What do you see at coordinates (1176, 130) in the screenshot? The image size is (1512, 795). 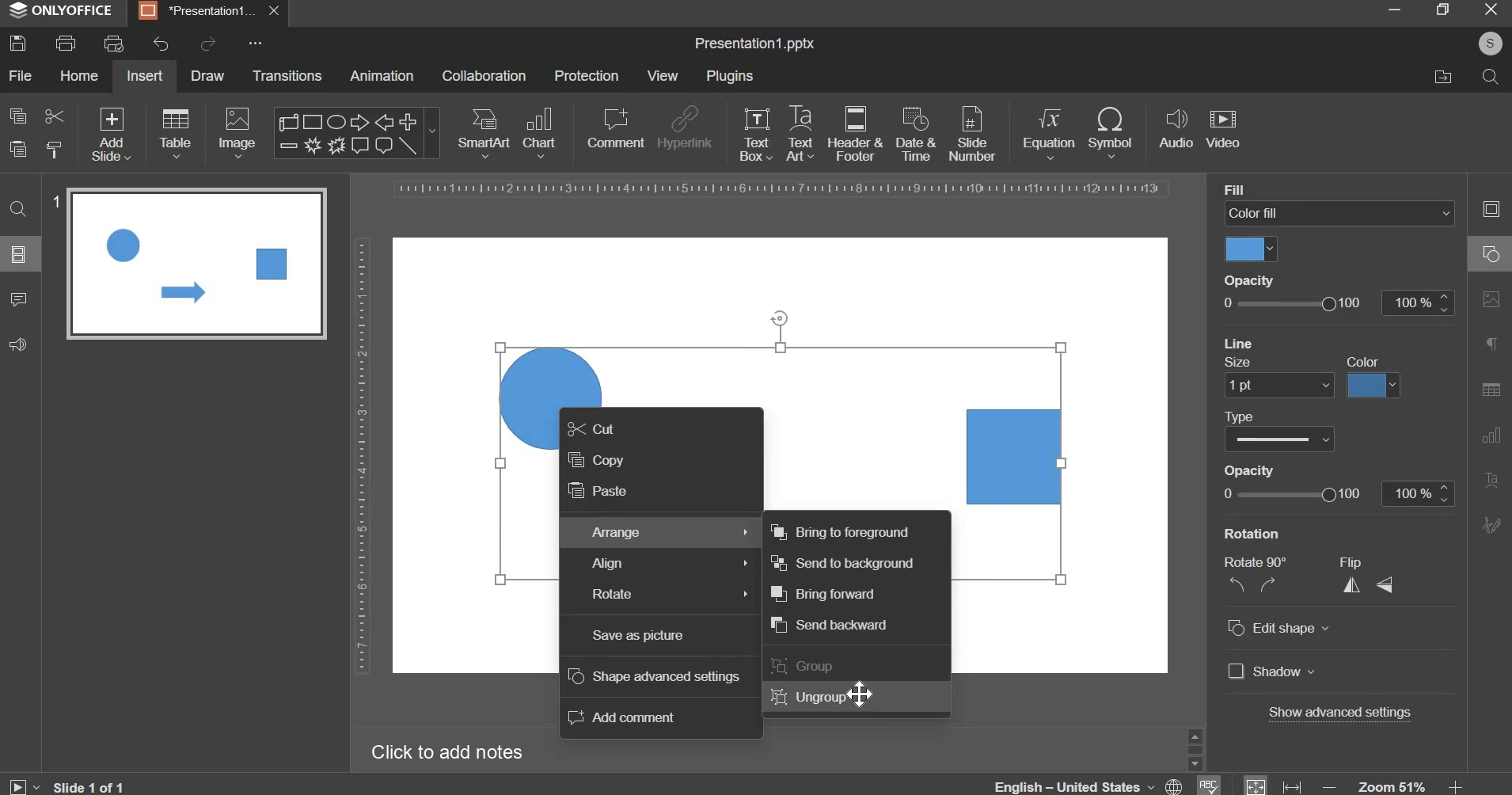 I see `audio` at bounding box center [1176, 130].